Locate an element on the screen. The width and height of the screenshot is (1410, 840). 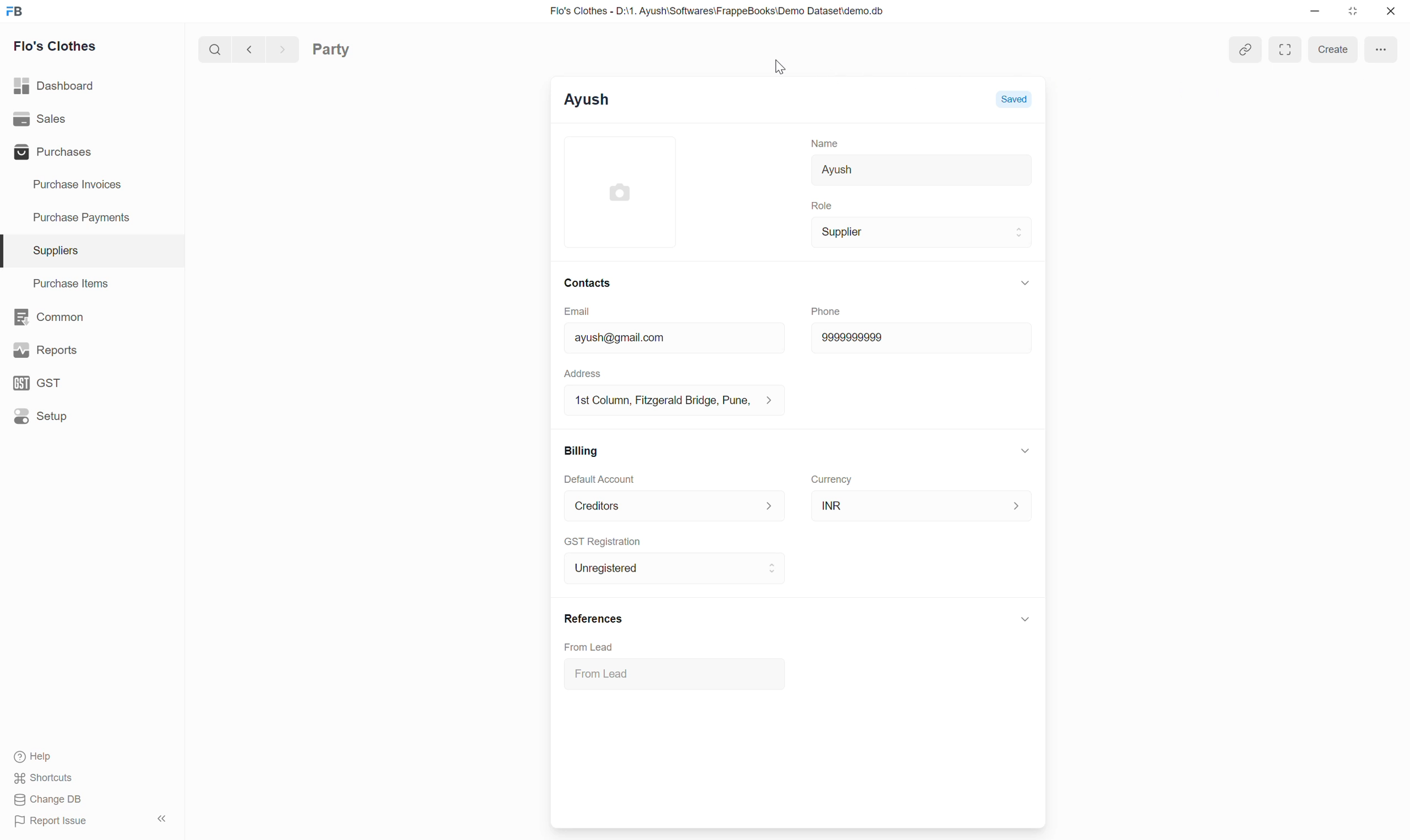
Party is located at coordinates (331, 49).